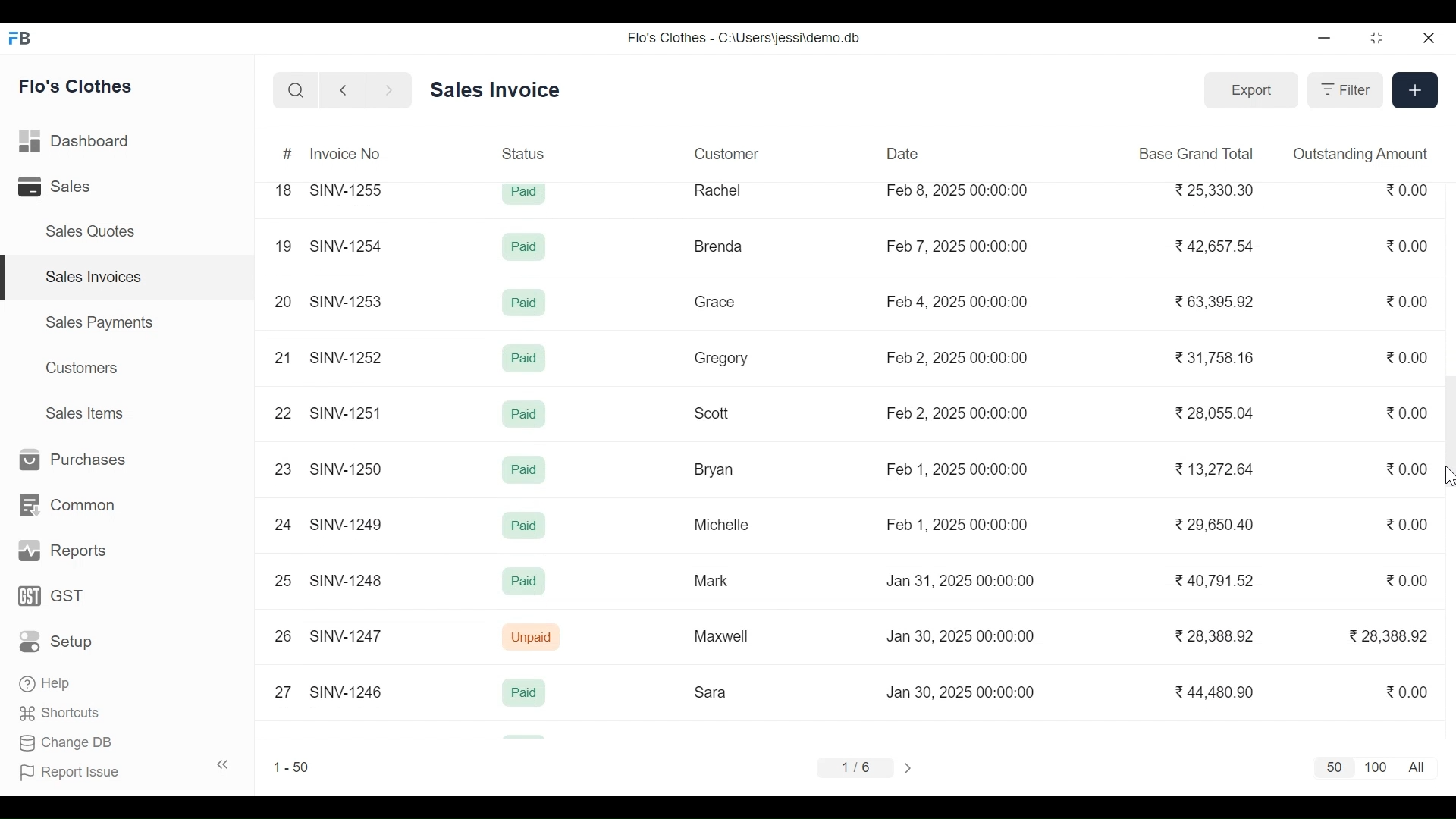  I want to click on Gregory, so click(720, 359).